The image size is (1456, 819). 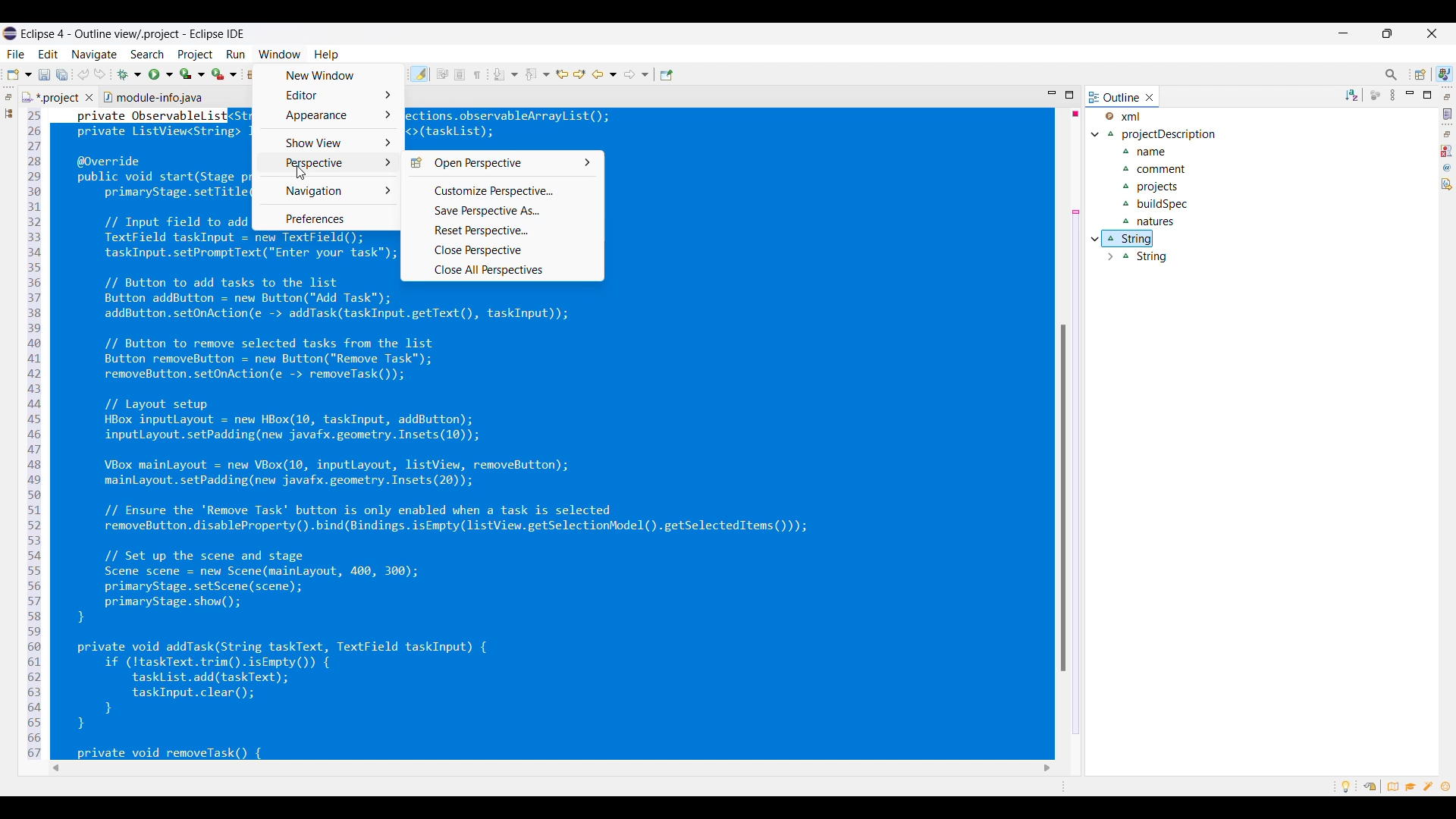 I want to click on New window, so click(x=328, y=76).